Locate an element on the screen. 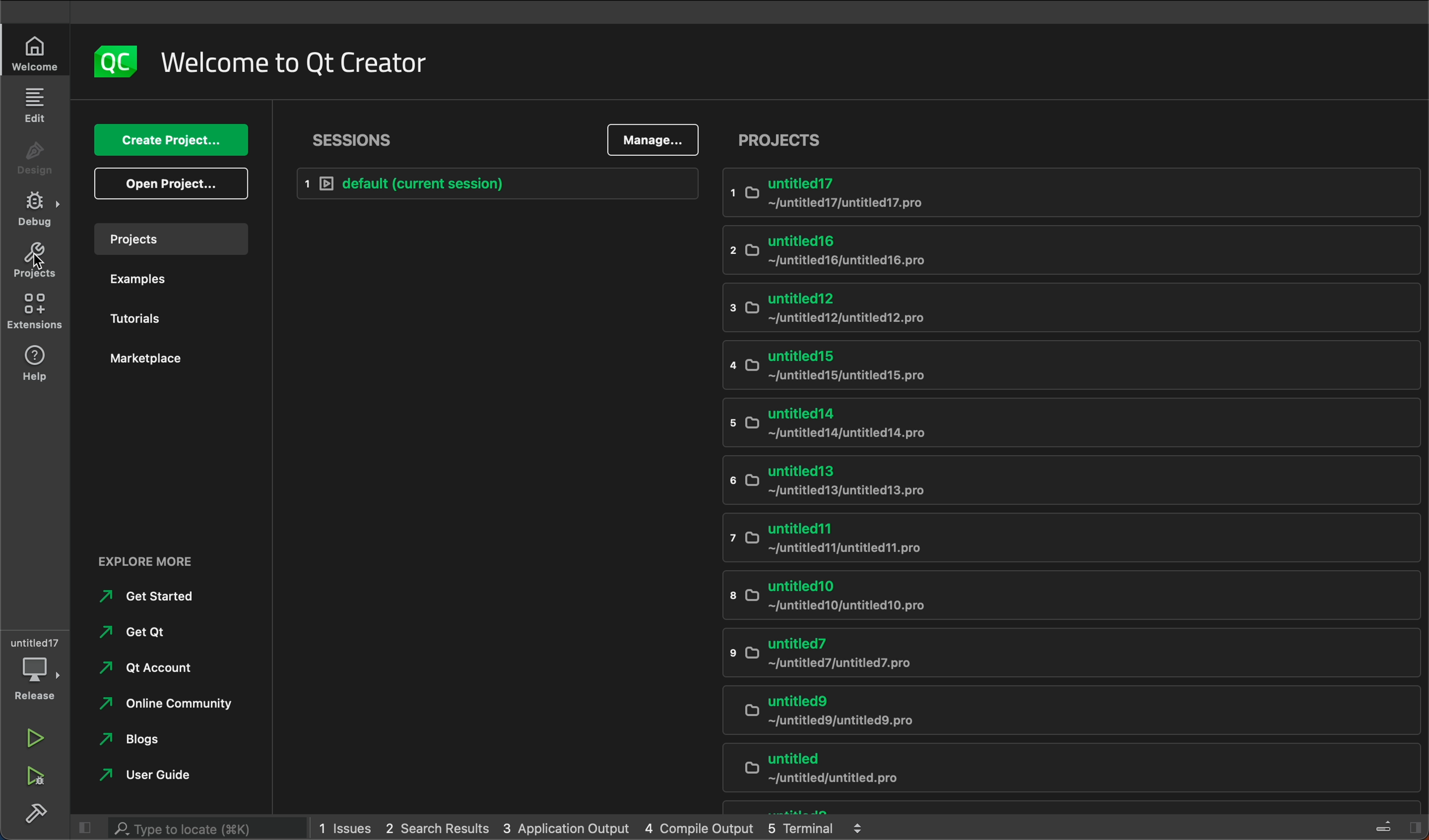 The height and width of the screenshot is (840, 1429). sessions is located at coordinates (345, 139).